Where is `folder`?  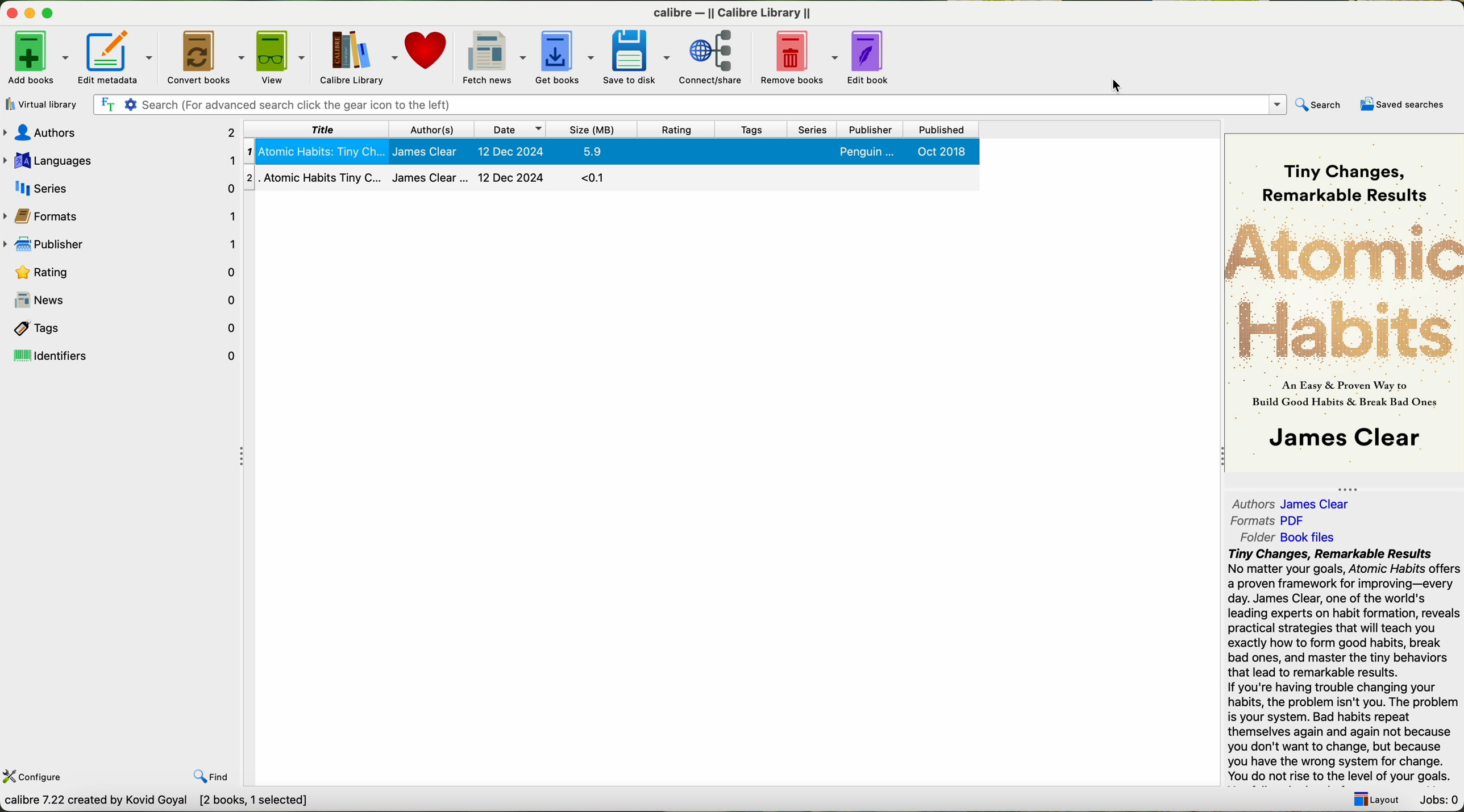
folder is located at coordinates (1293, 538).